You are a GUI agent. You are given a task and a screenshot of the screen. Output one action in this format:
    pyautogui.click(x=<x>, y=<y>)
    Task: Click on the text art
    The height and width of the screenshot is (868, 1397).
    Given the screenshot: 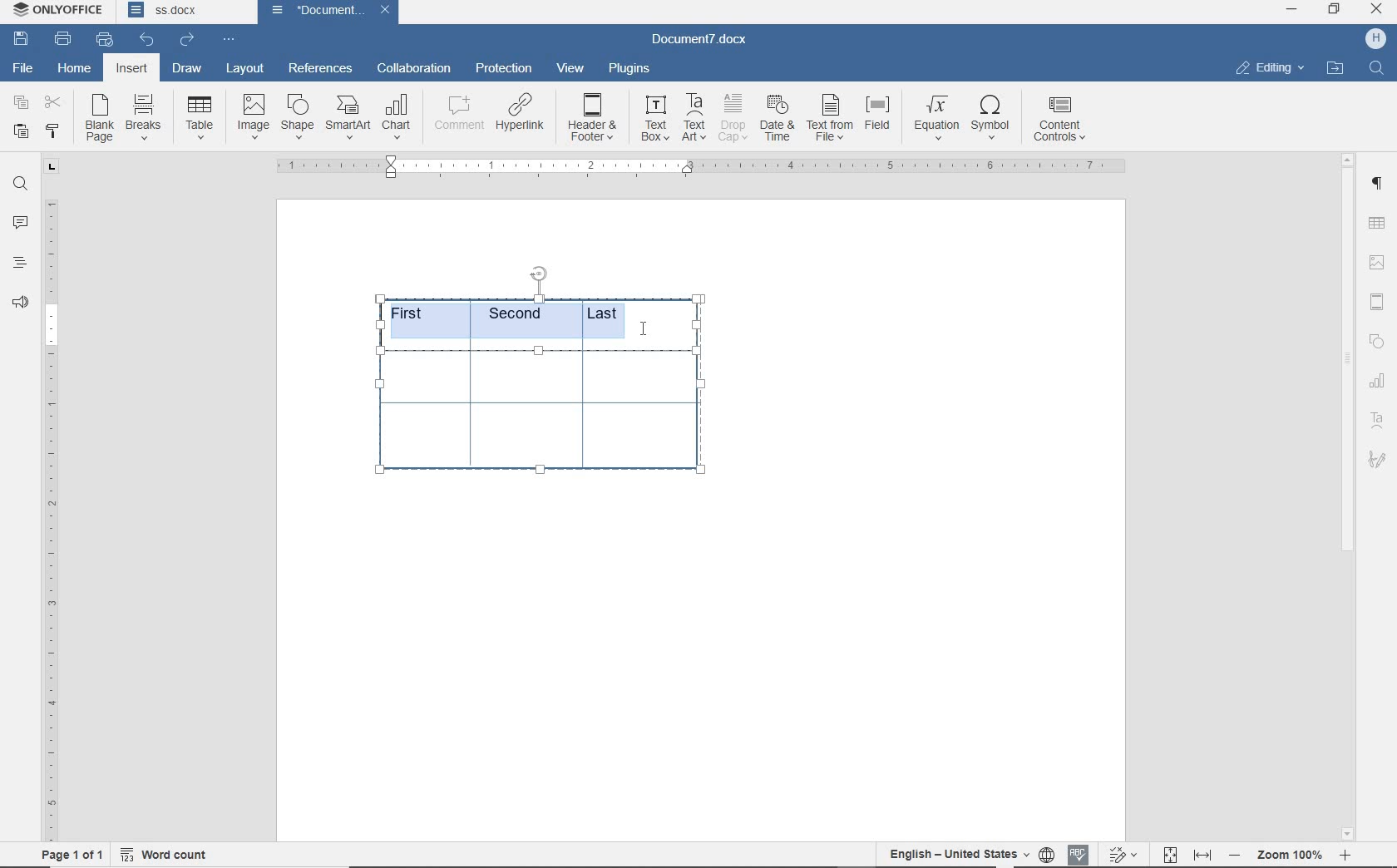 What is the action you would take?
    pyautogui.click(x=694, y=117)
    